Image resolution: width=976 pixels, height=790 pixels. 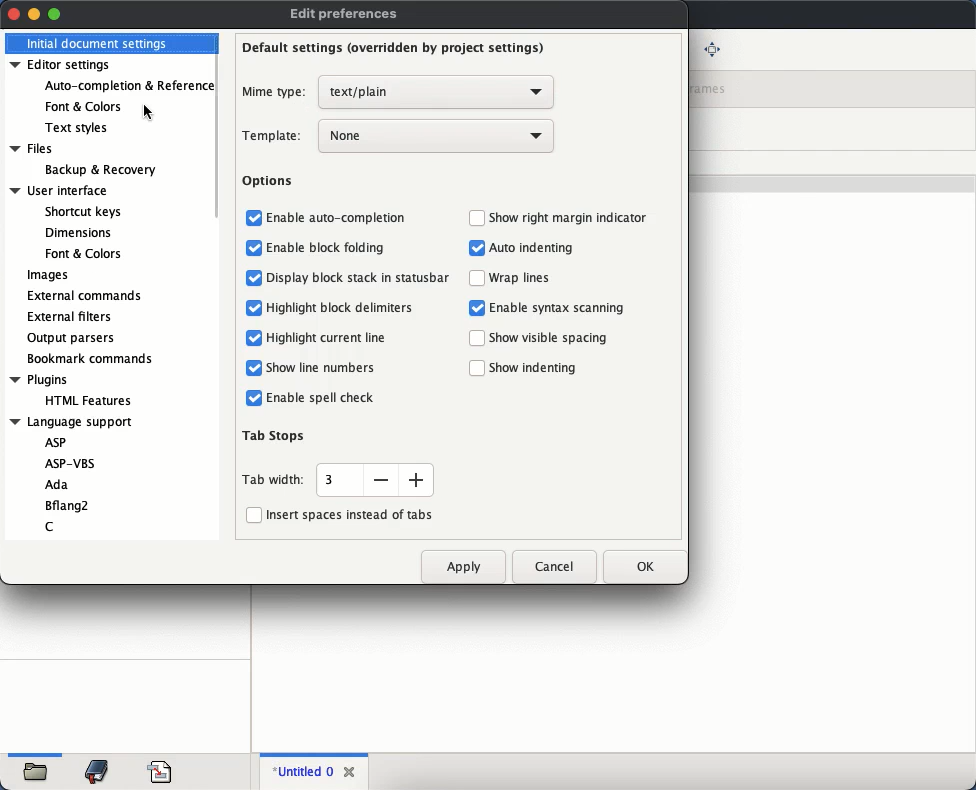 What do you see at coordinates (98, 45) in the screenshot?
I see `initial document settings` at bounding box center [98, 45].